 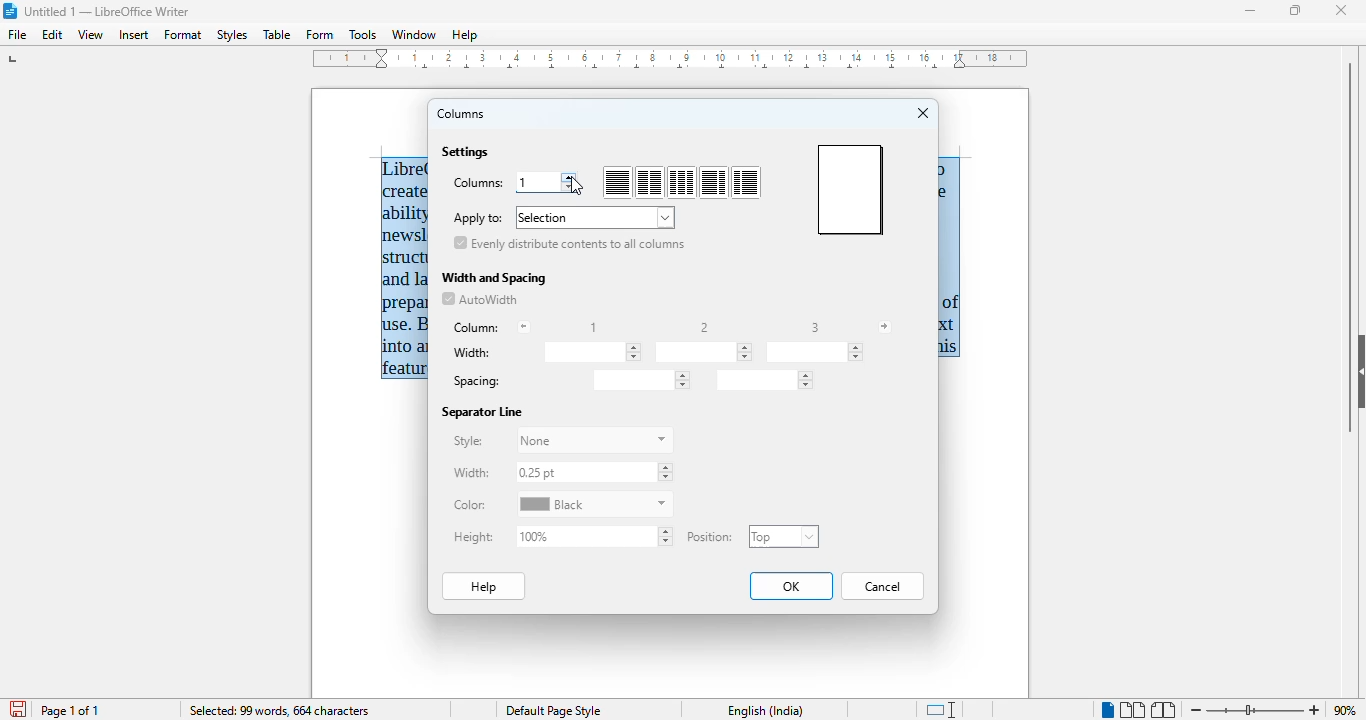 I want to click on style: , so click(x=467, y=441).